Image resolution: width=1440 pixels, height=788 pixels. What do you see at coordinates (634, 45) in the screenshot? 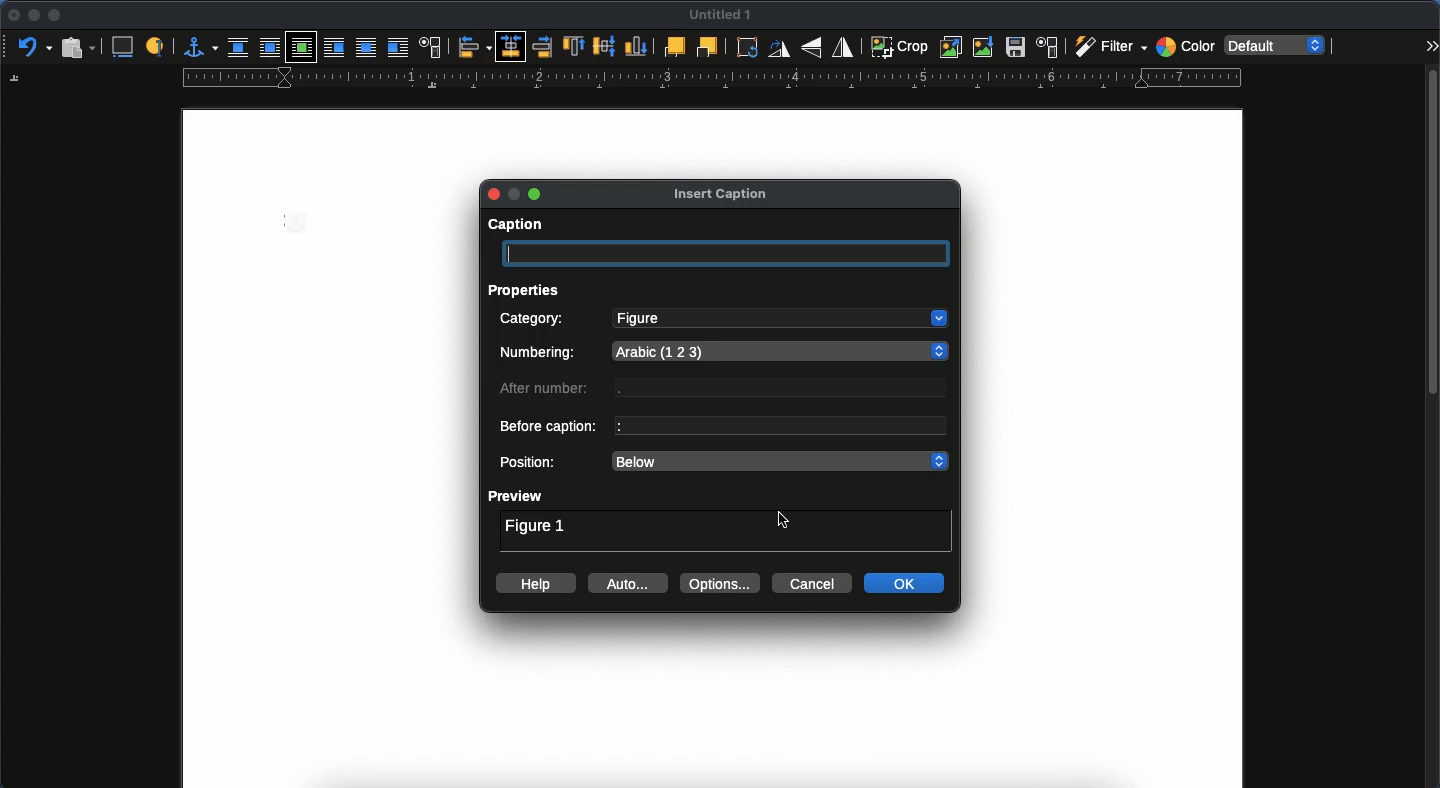
I see `bottom to anchor` at bounding box center [634, 45].